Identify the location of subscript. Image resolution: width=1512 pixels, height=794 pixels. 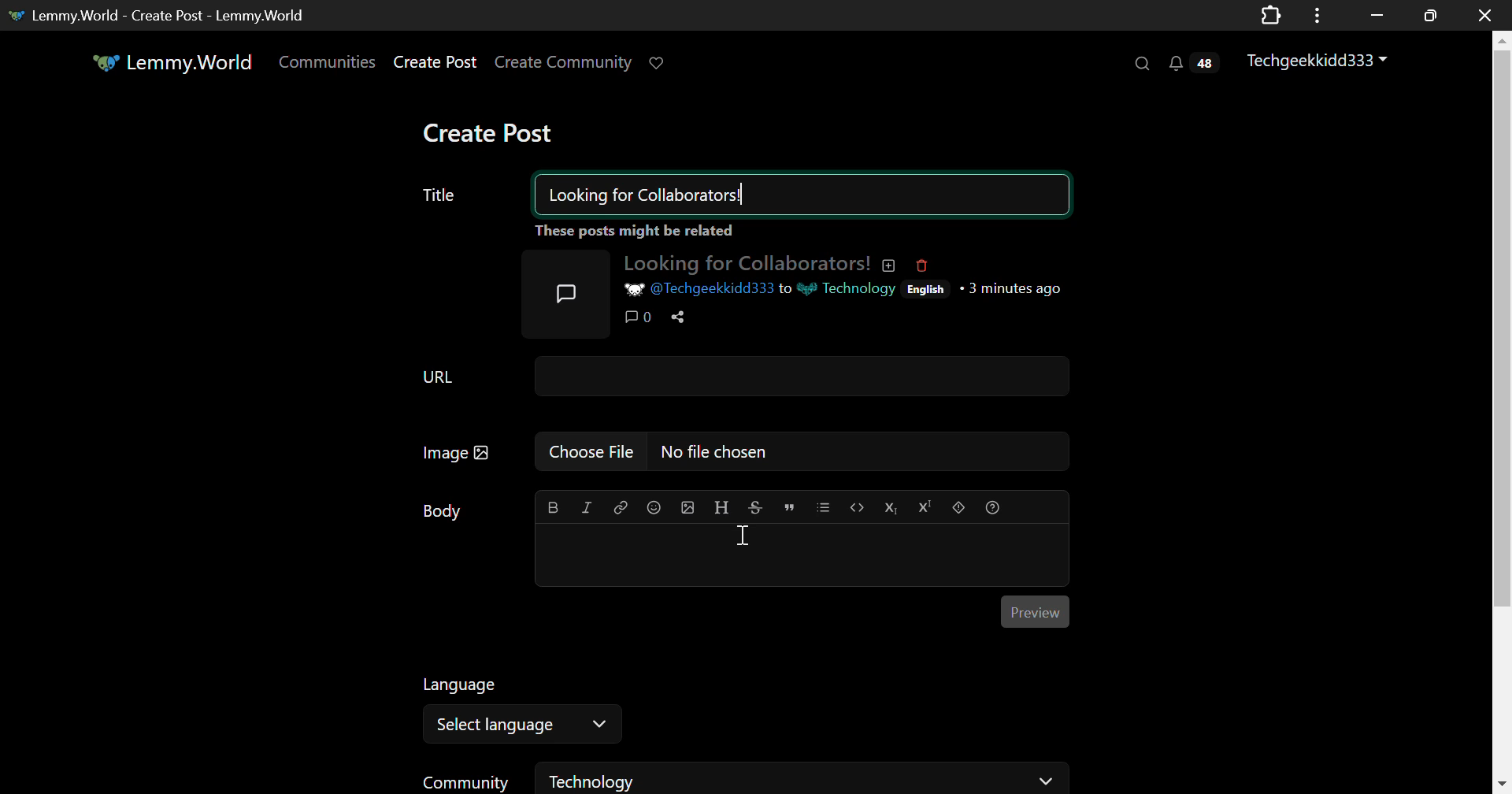
(892, 507).